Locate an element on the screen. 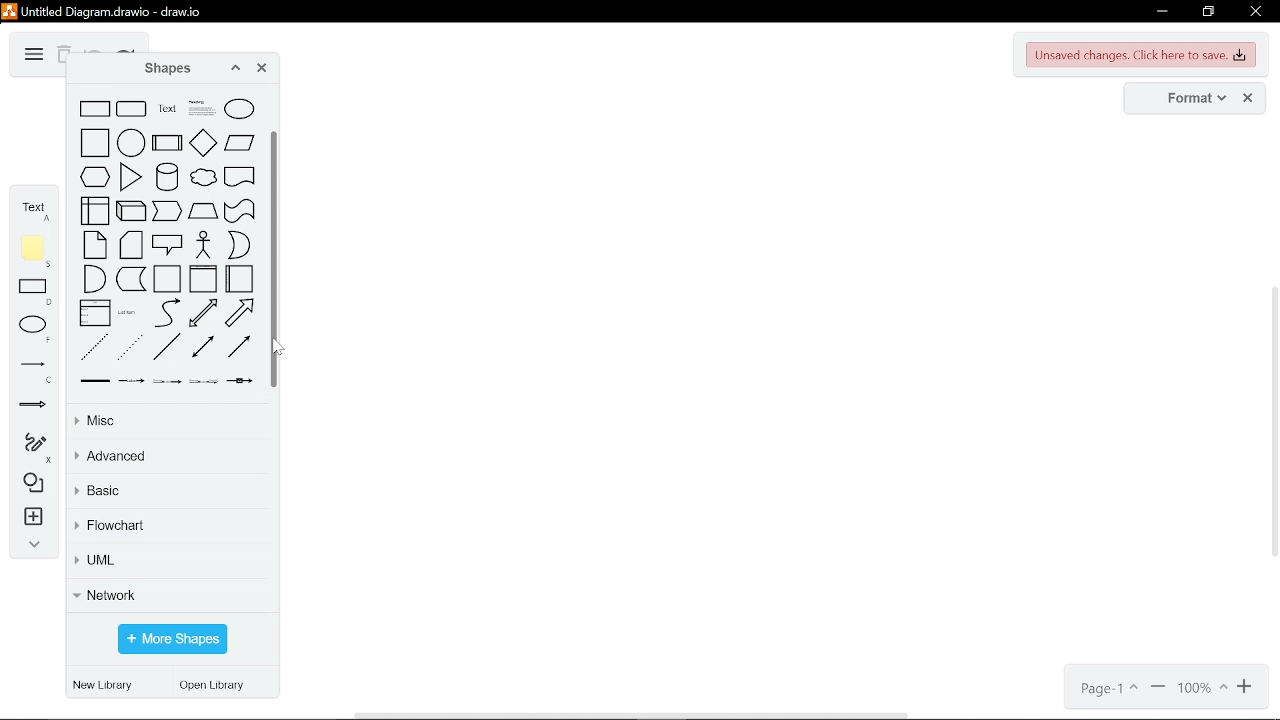 This screenshot has width=1280, height=720. zoom in is located at coordinates (1247, 688).